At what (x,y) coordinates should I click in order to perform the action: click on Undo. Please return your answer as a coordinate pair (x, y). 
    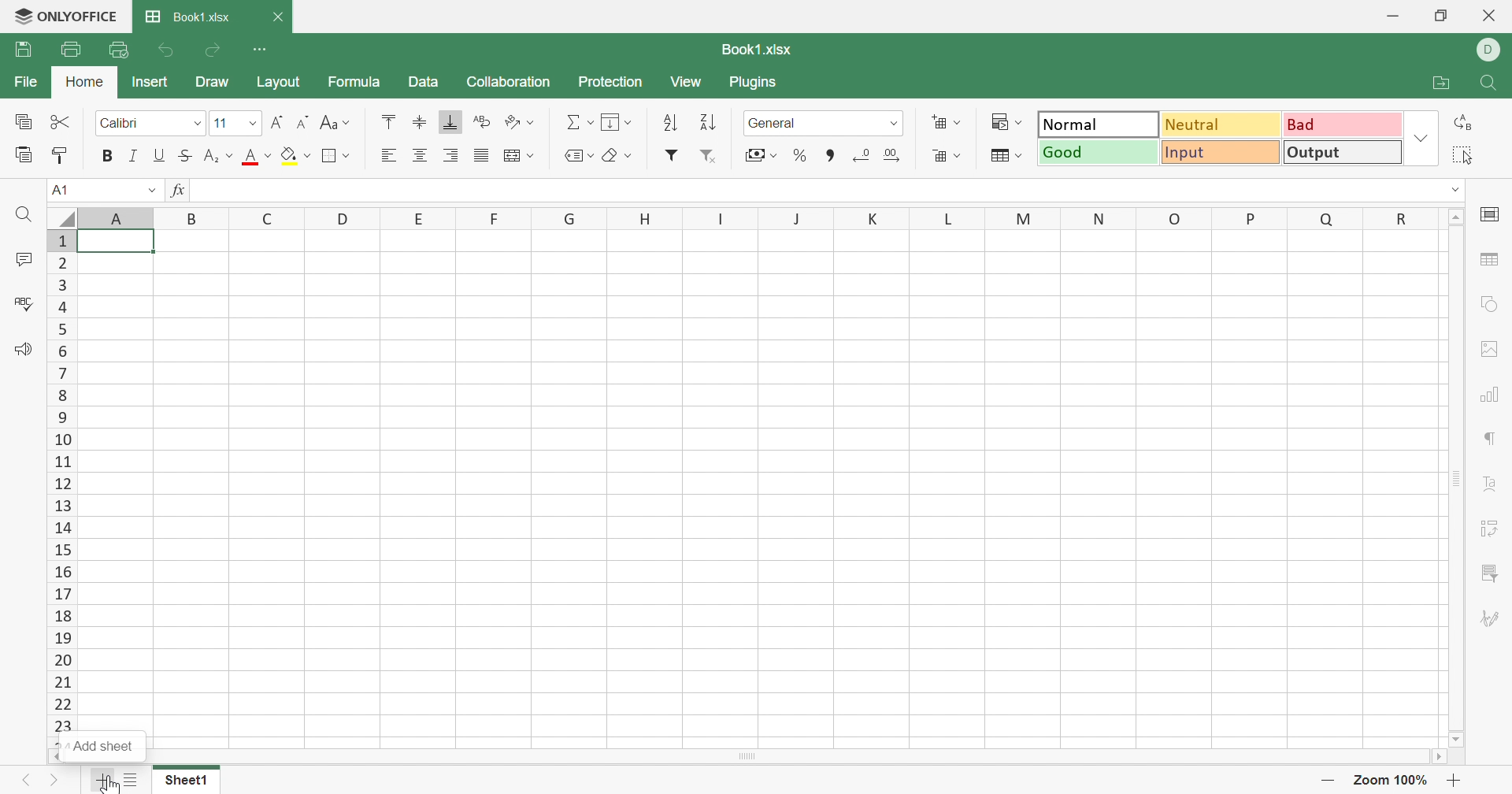
    Looking at the image, I should click on (165, 51).